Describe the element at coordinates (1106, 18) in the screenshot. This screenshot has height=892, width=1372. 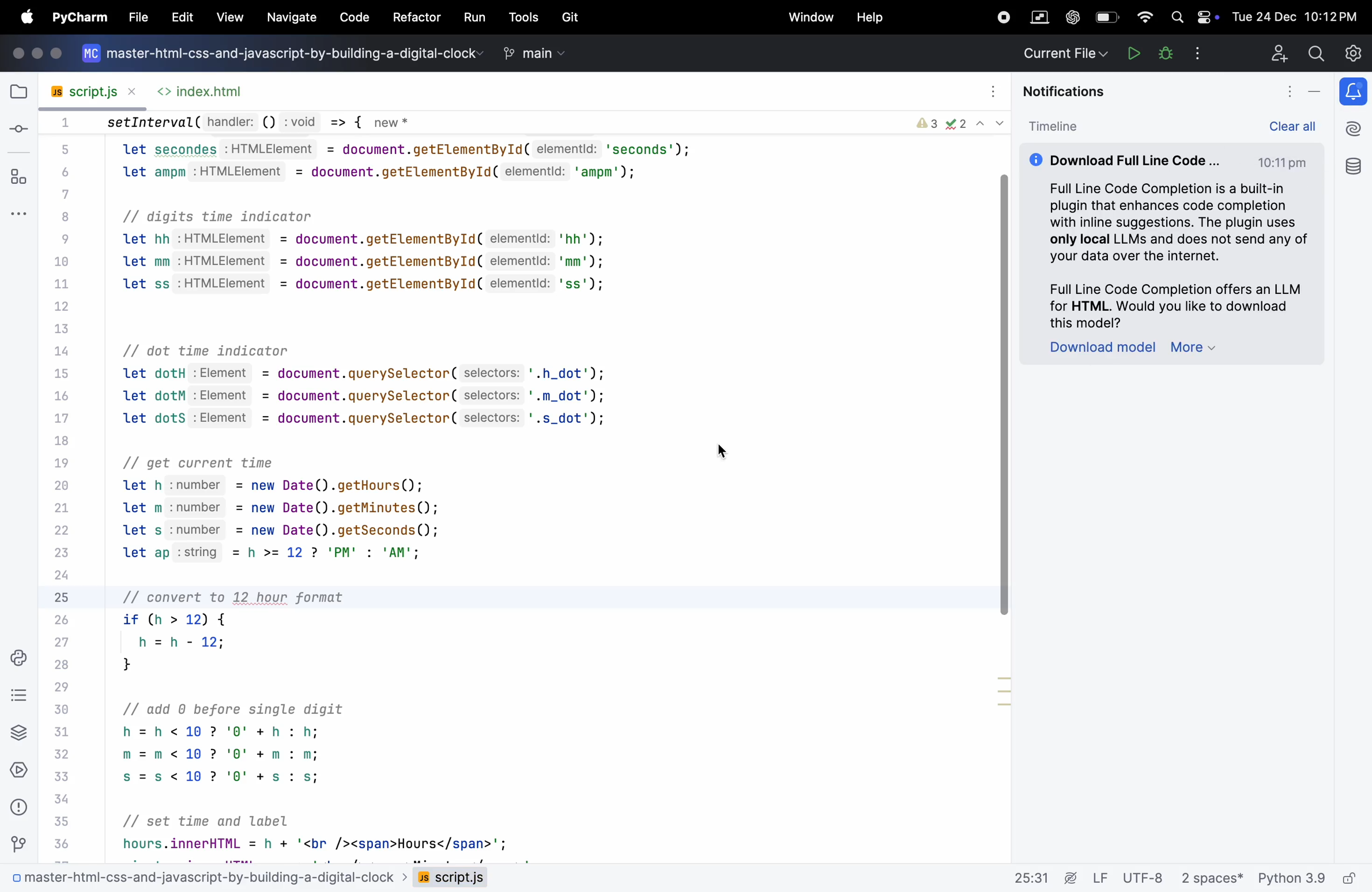
I see `battery` at that location.